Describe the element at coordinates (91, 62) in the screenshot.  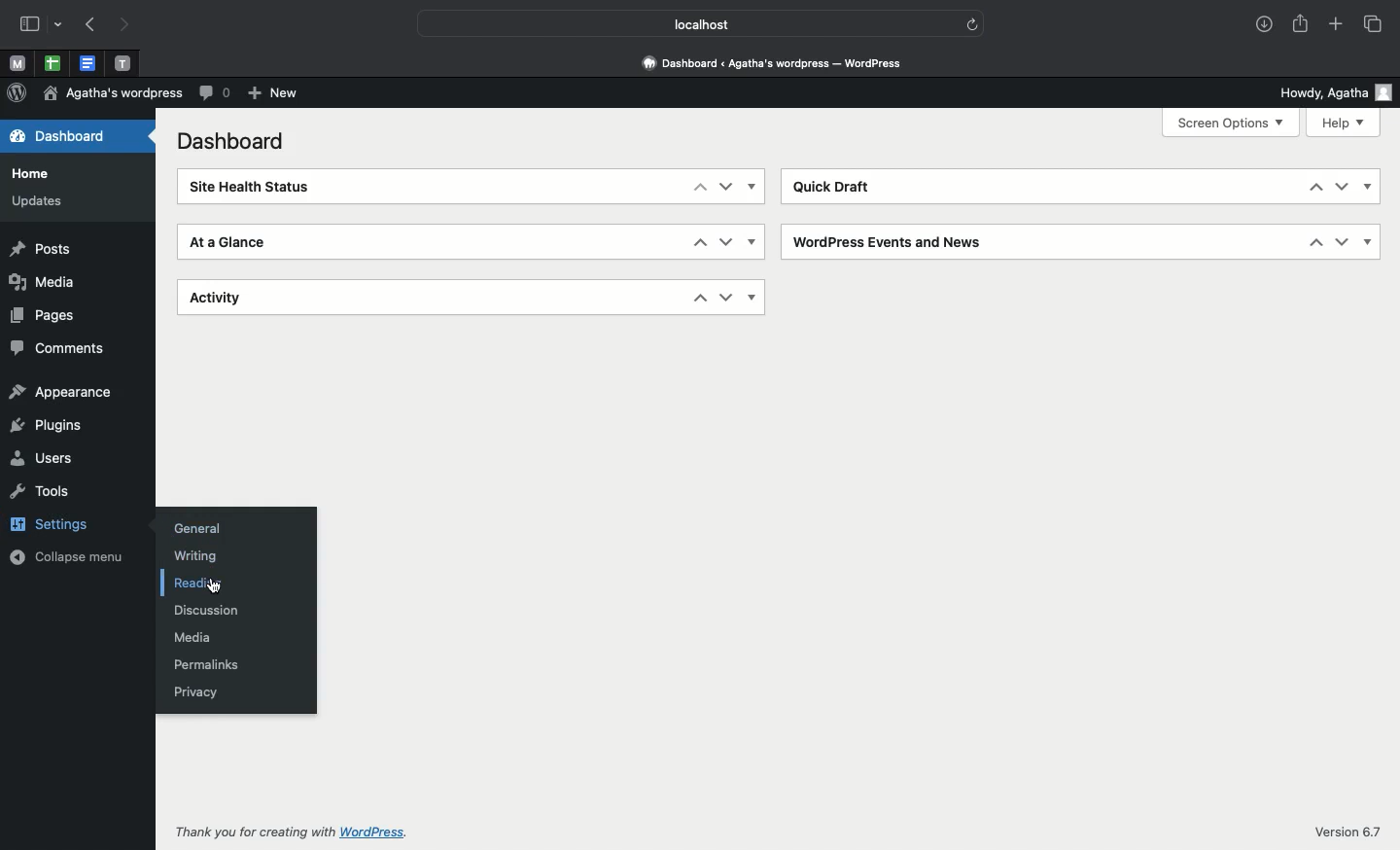
I see `Pinned tabs` at that location.